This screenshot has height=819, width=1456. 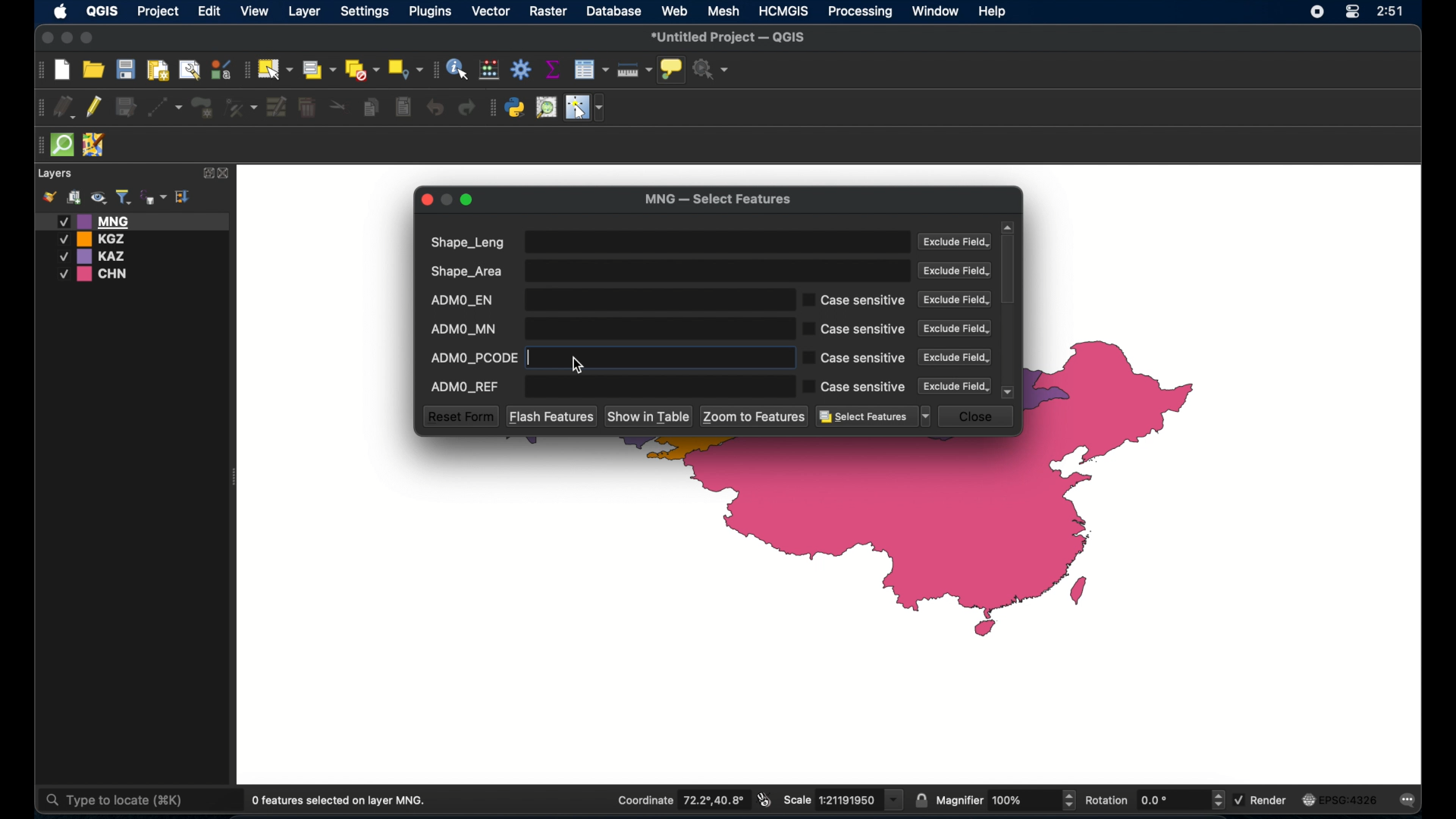 I want to click on render, so click(x=1264, y=799).